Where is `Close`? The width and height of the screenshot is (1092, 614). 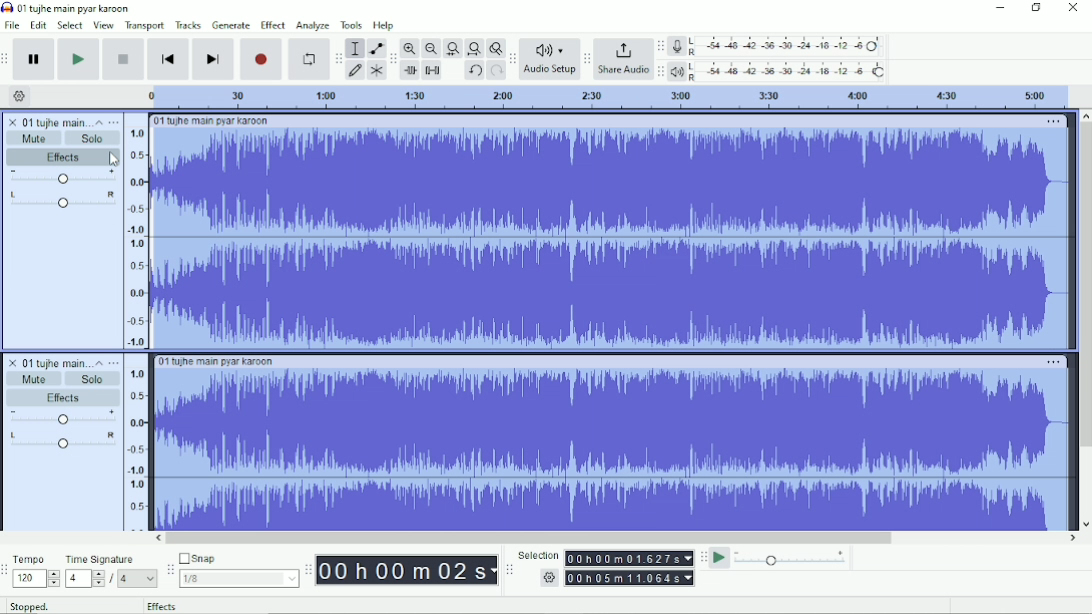 Close is located at coordinates (1072, 8).